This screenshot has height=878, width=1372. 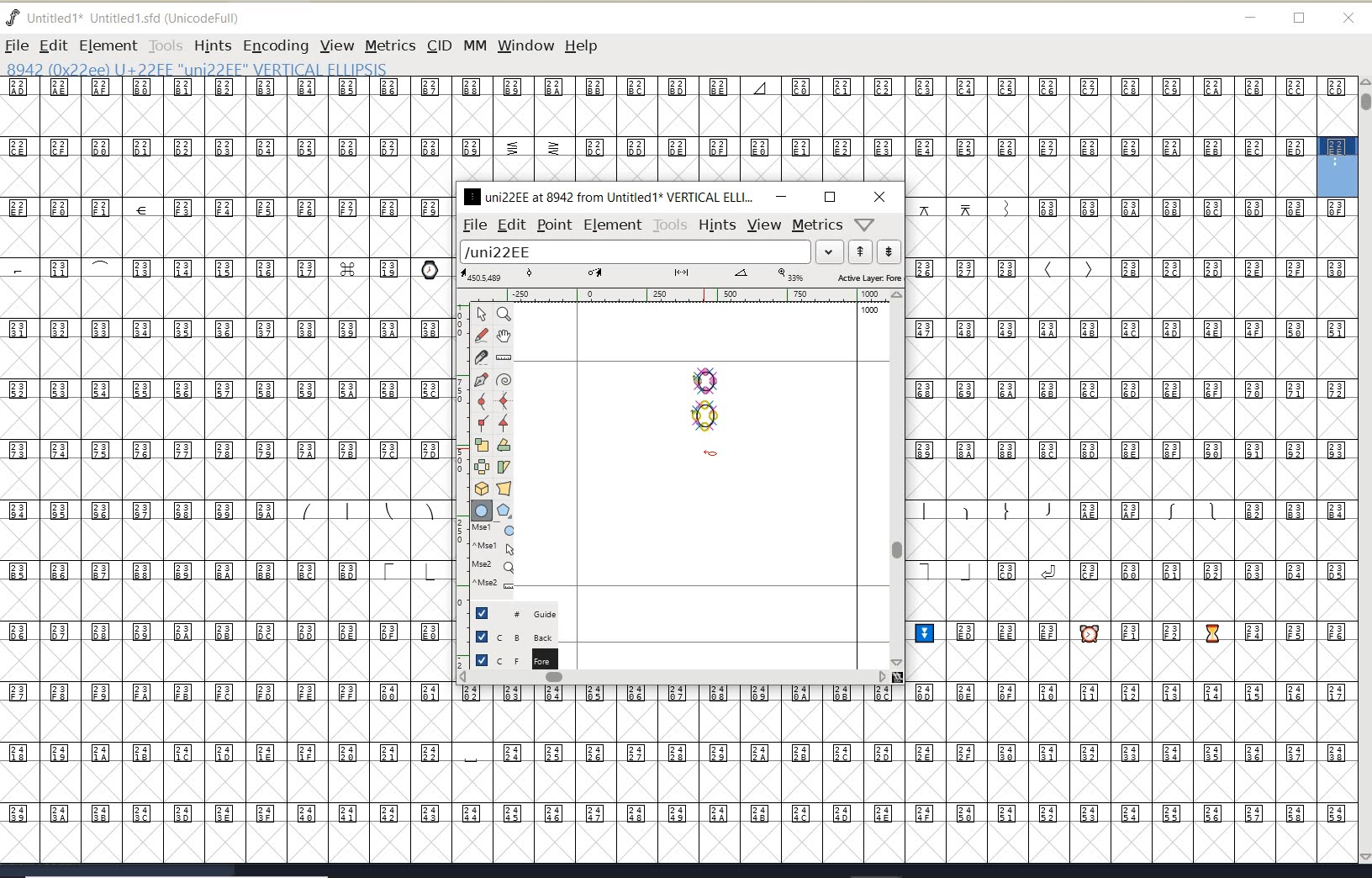 What do you see at coordinates (895, 479) in the screenshot?
I see `scrollbar` at bounding box center [895, 479].